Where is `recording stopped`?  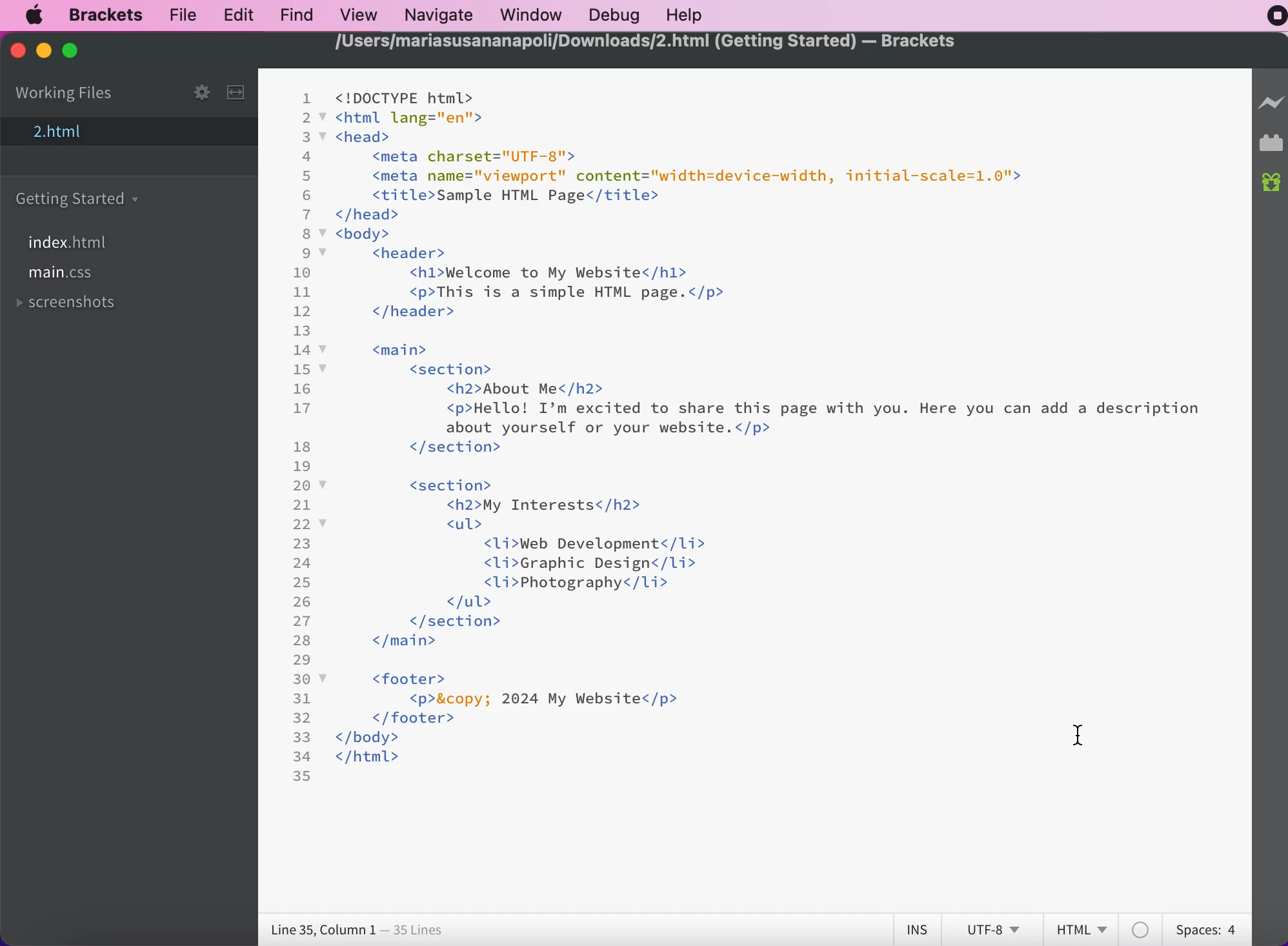 recording stopped is located at coordinates (1277, 17).